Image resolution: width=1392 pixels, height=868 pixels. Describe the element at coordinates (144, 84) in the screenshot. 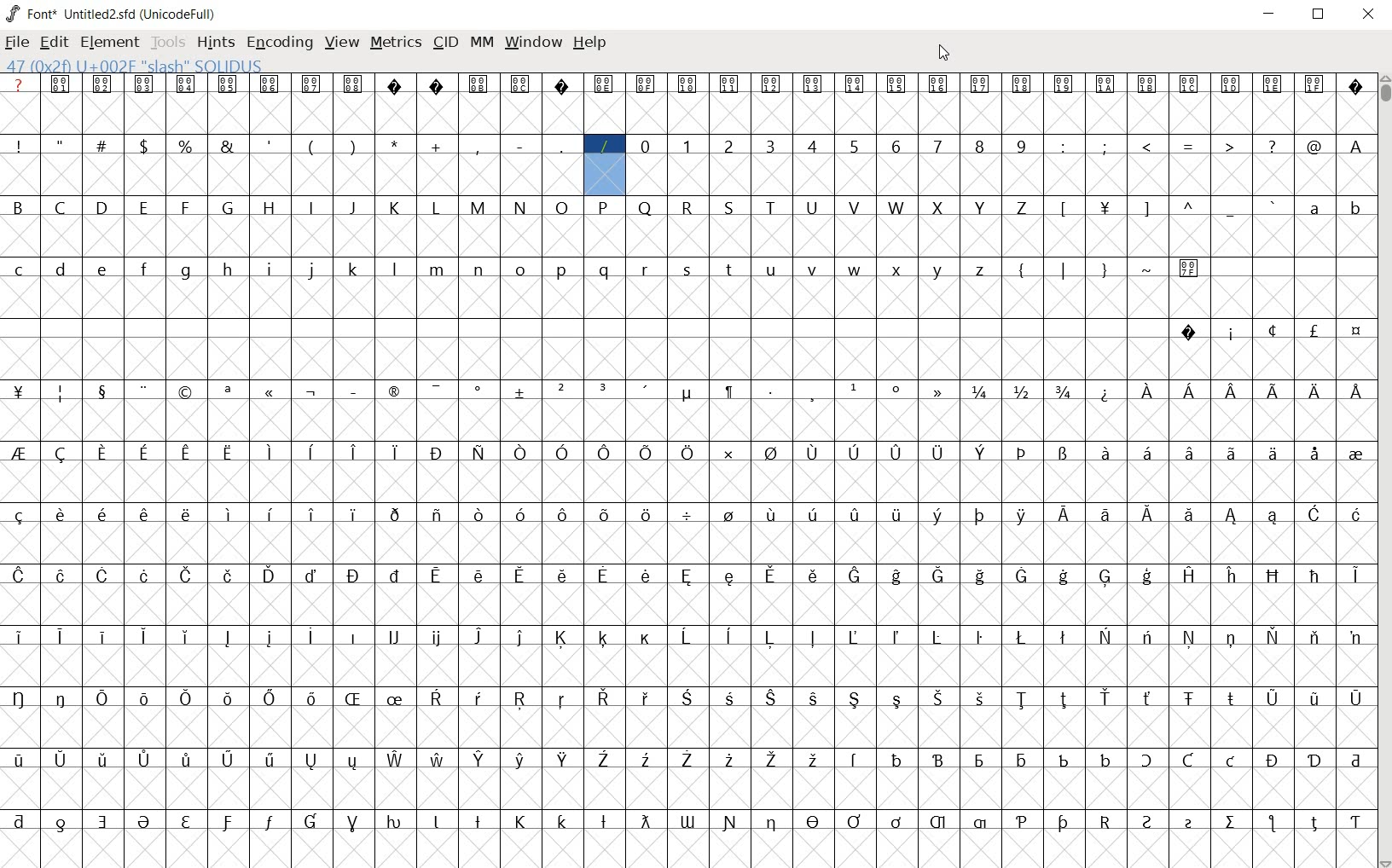

I see `glyph` at that location.